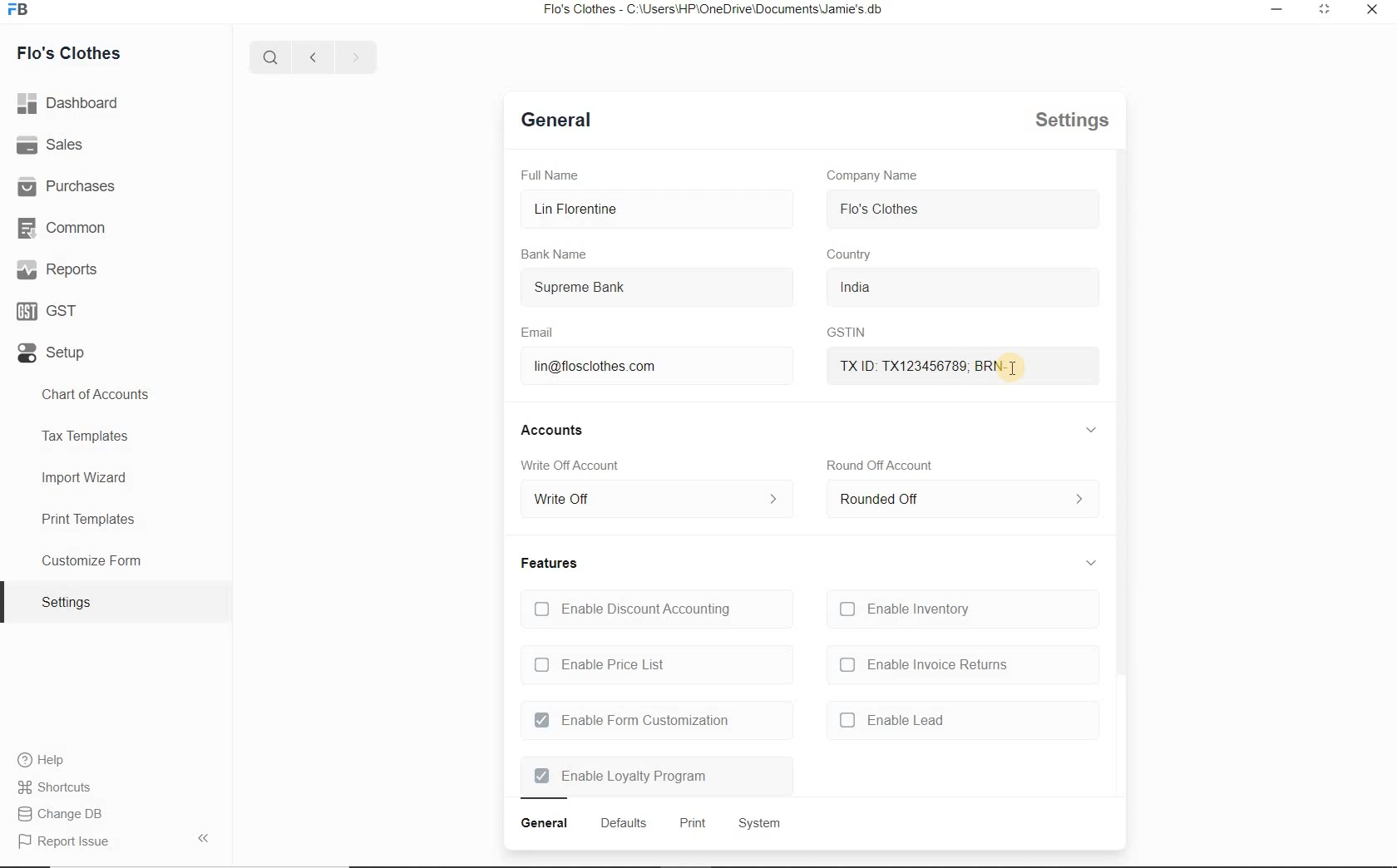  What do you see at coordinates (621, 777) in the screenshot?
I see `Enable Loyalty Program` at bounding box center [621, 777].